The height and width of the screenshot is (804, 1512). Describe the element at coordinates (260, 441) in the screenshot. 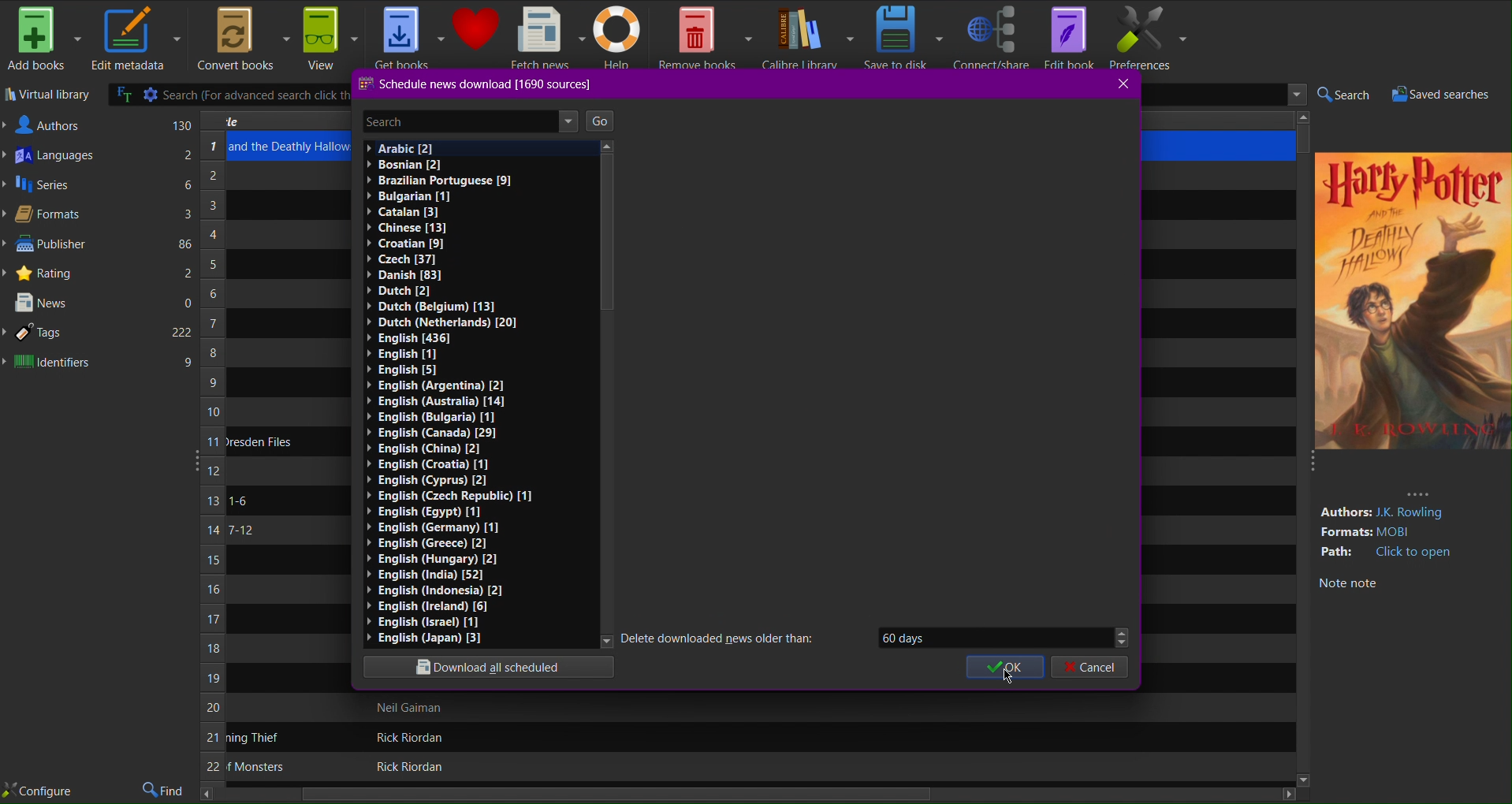

I see `Dresden Files` at that location.